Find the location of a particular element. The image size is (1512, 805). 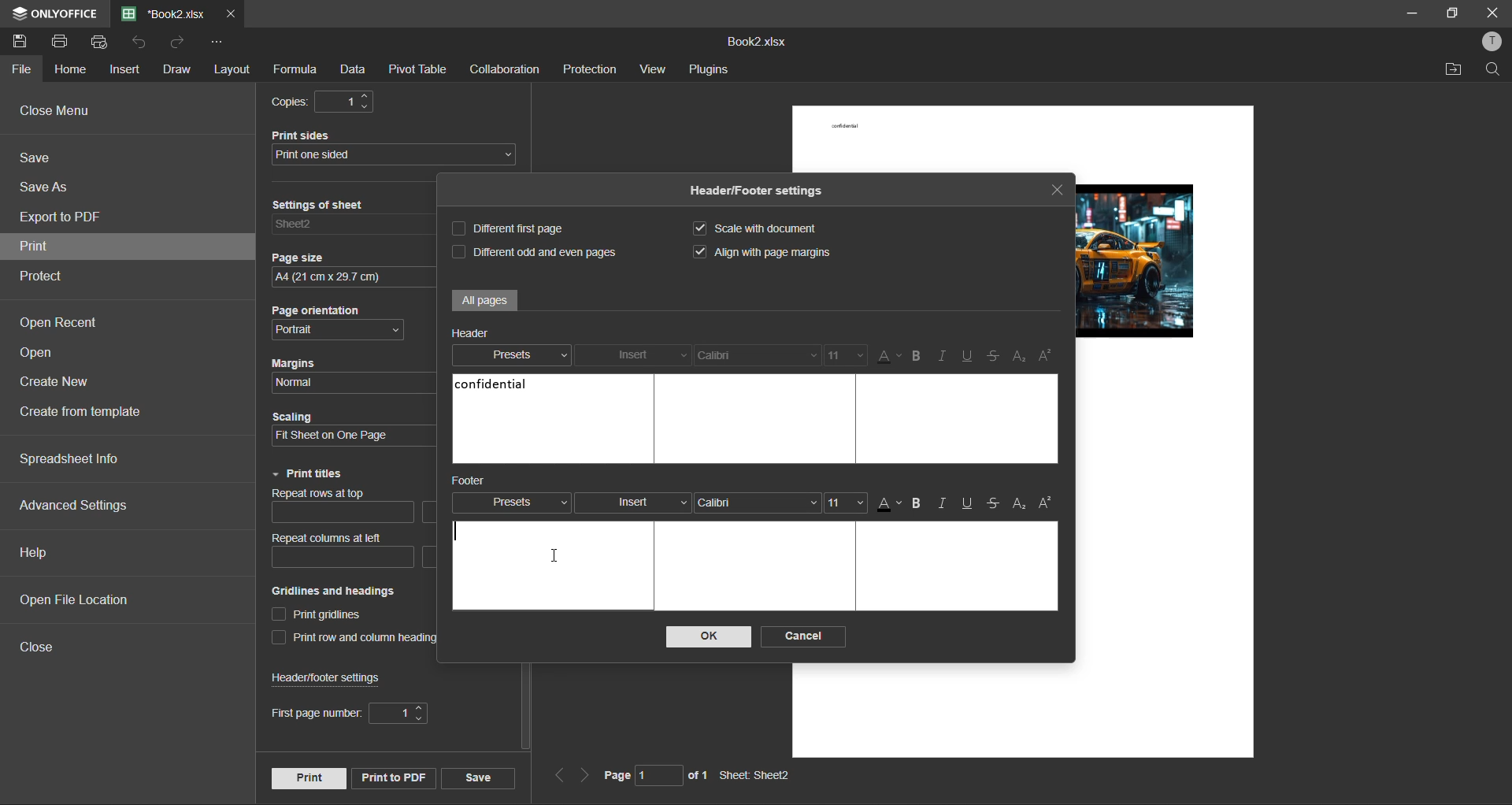

Gridlines and headings is located at coordinates (335, 591).